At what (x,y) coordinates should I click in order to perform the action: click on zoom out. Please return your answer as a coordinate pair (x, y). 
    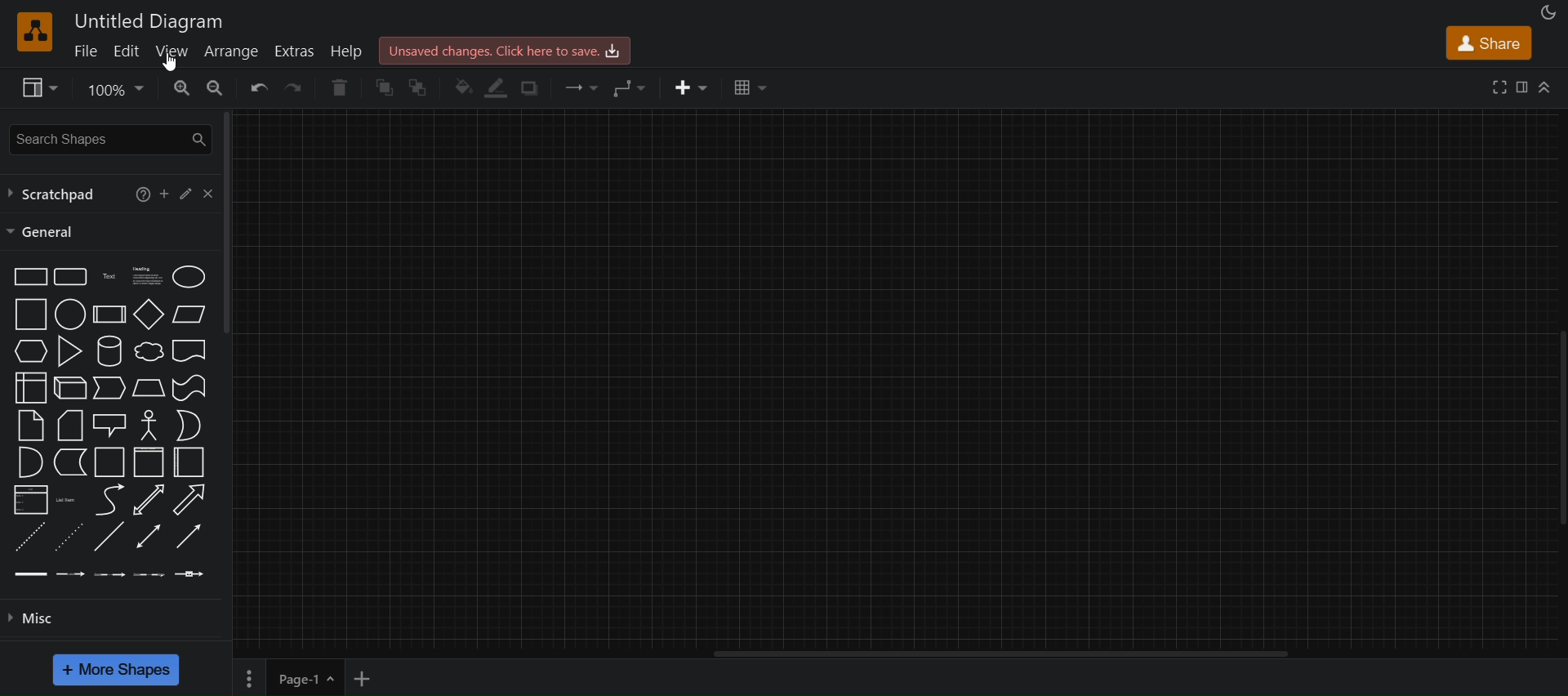
    Looking at the image, I should click on (216, 88).